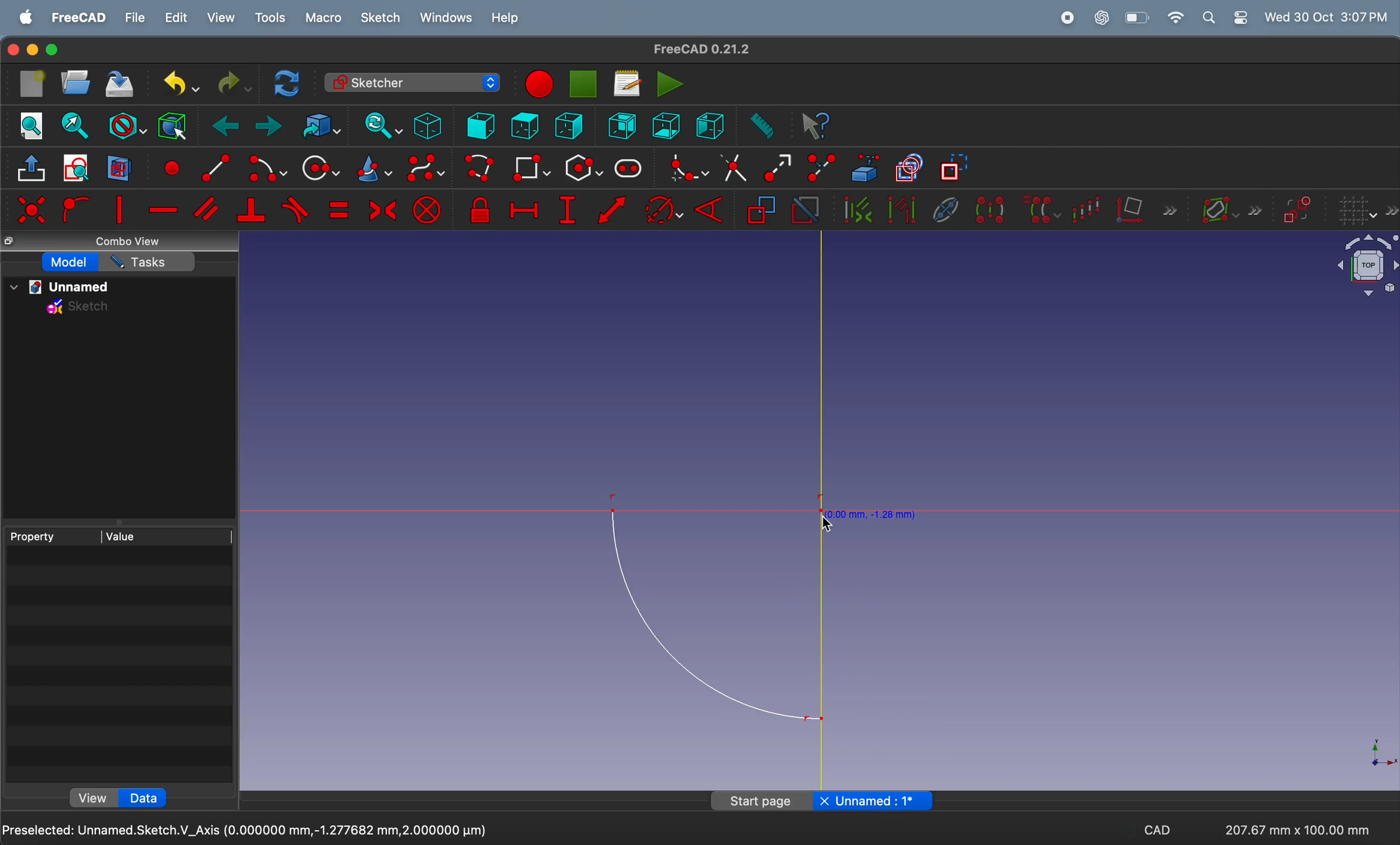  What do you see at coordinates (955, 169) in the screenshot?
I see `toggle construction` at bounding box center [955, 169].